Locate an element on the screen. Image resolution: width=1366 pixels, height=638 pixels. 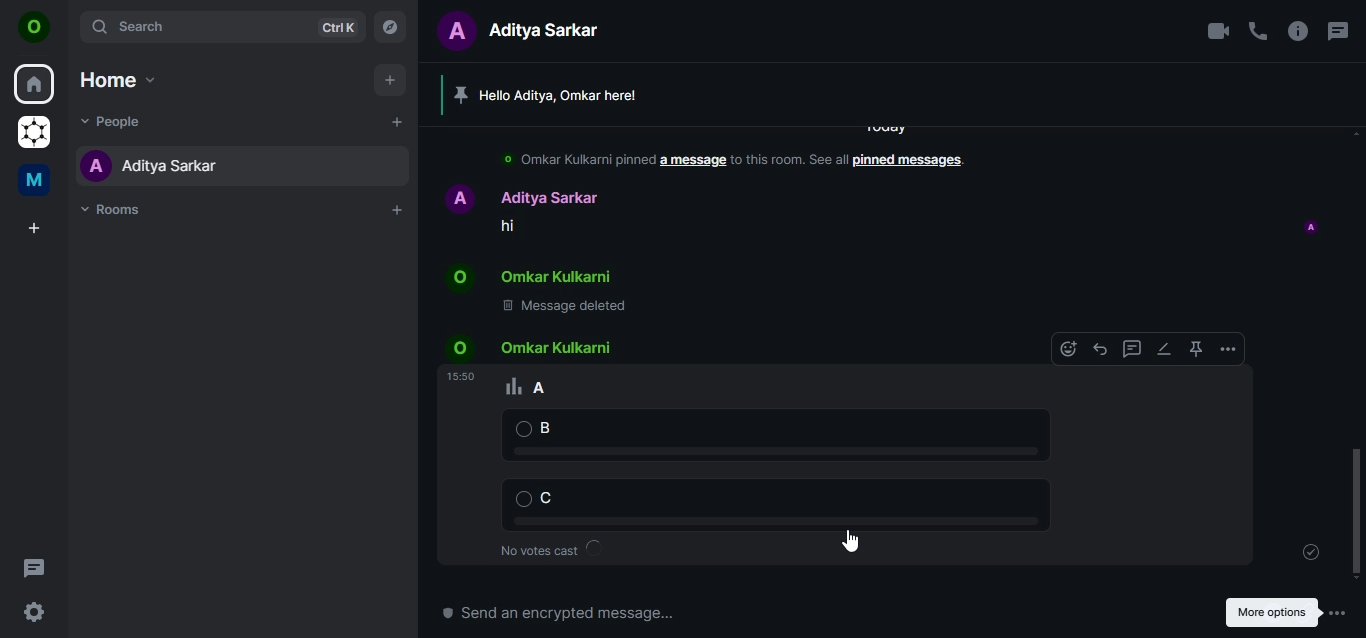
threads is located at coordinates (34, 567).